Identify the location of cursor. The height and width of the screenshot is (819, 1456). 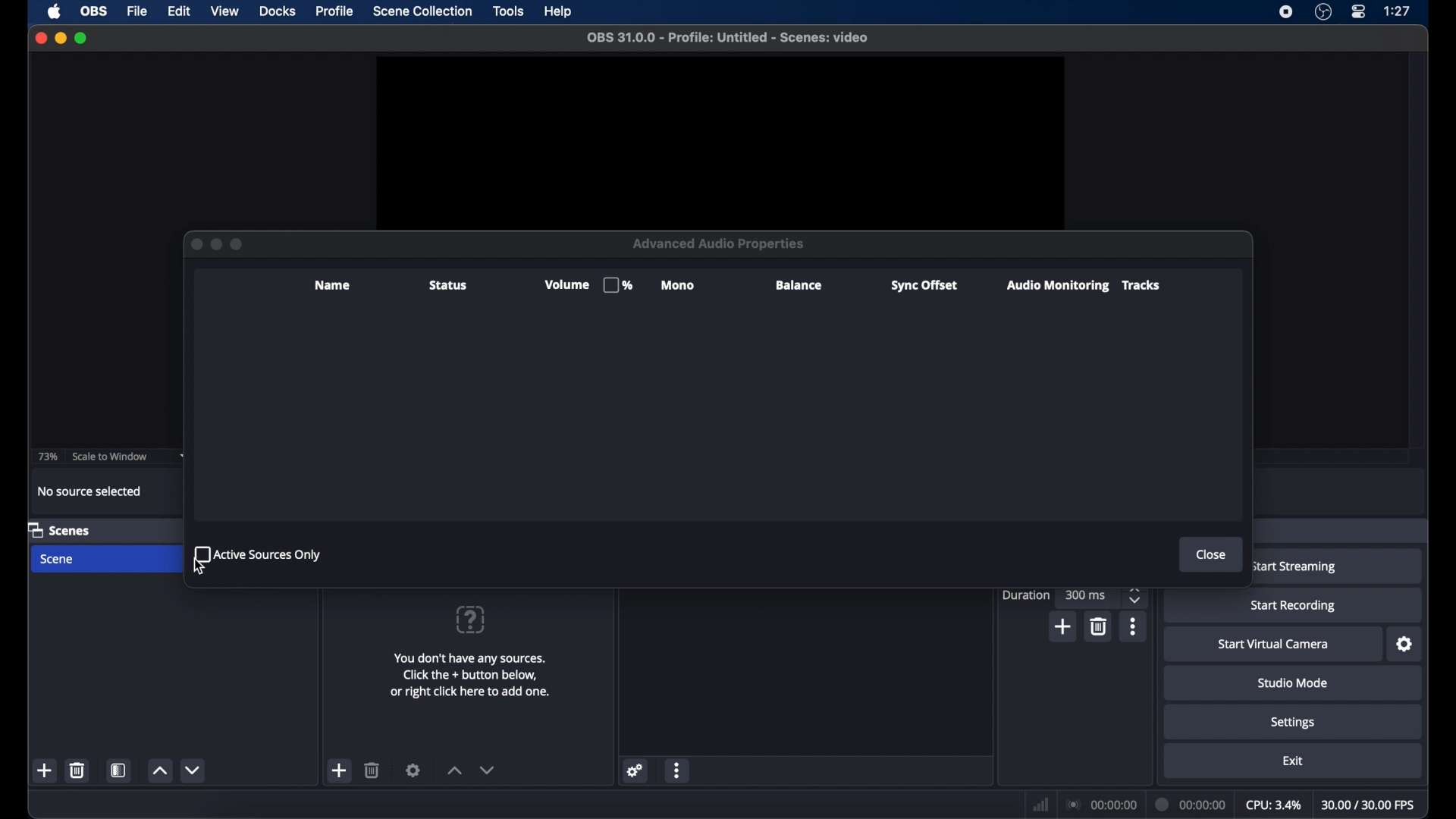
(200, 568).